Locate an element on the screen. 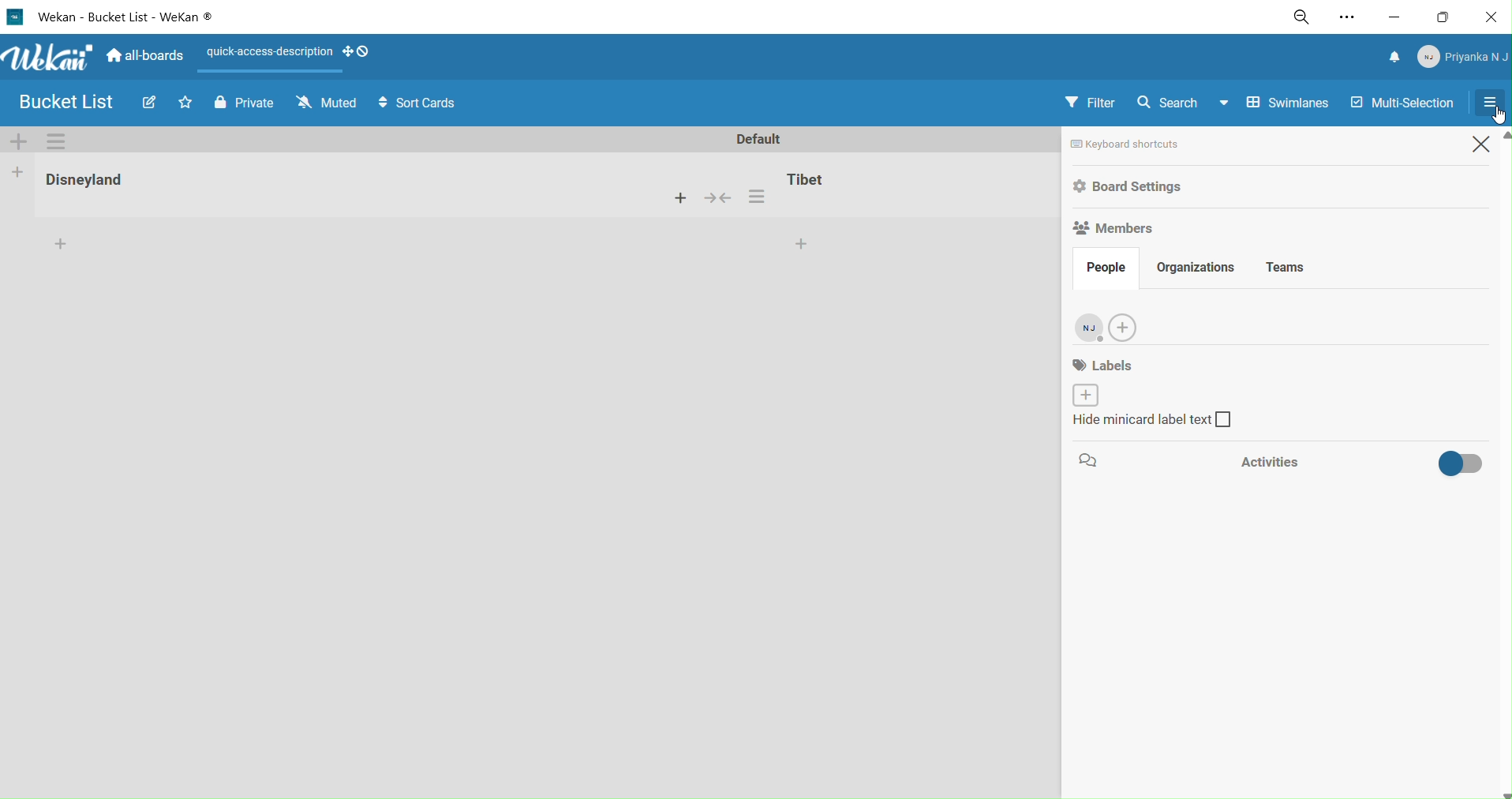  board name is located at coordinates (69, 103).